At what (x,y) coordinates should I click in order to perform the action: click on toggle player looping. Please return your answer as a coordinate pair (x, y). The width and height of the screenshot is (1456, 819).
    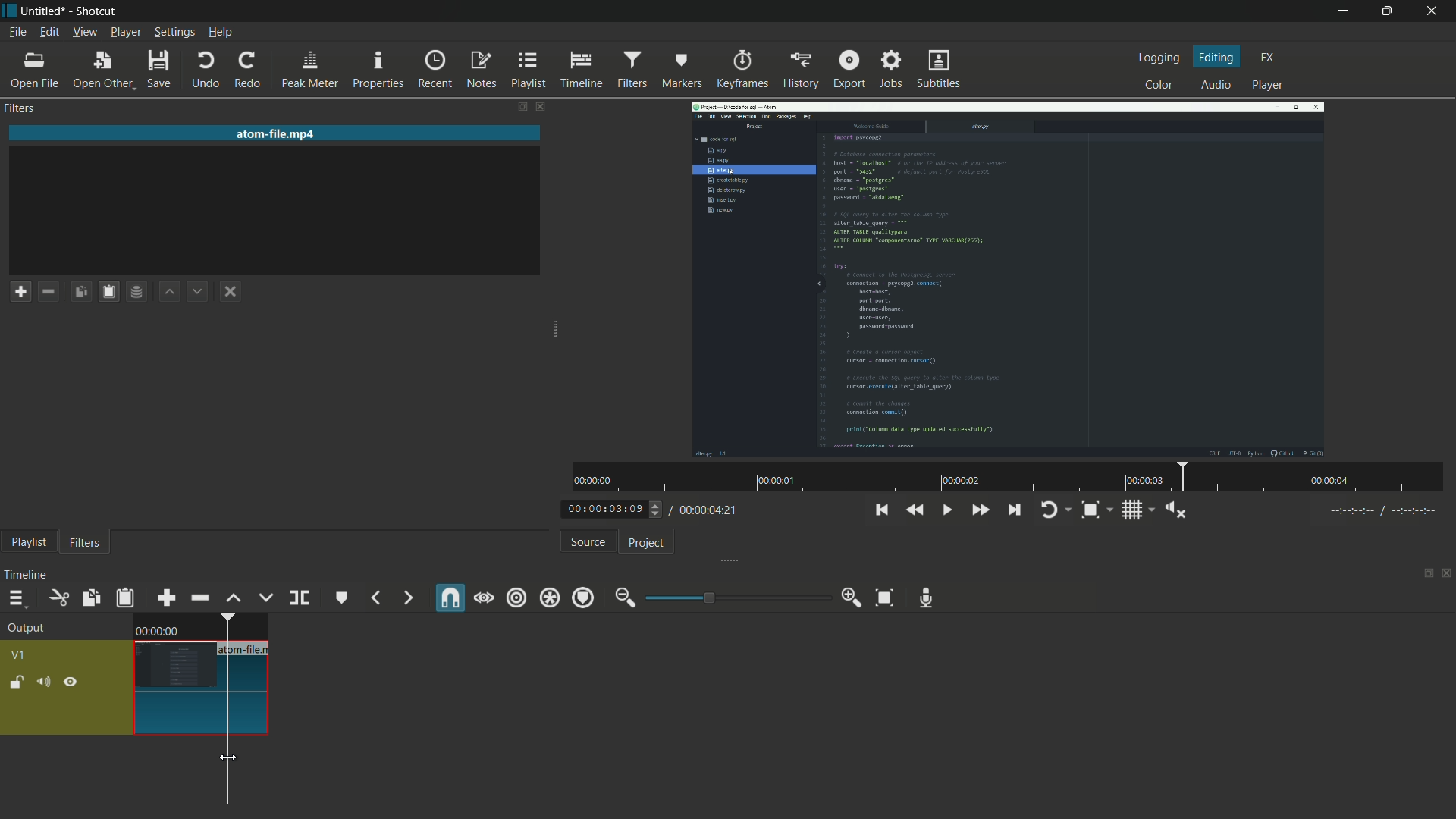
    Looking at the image, I should click on (1048, 510).